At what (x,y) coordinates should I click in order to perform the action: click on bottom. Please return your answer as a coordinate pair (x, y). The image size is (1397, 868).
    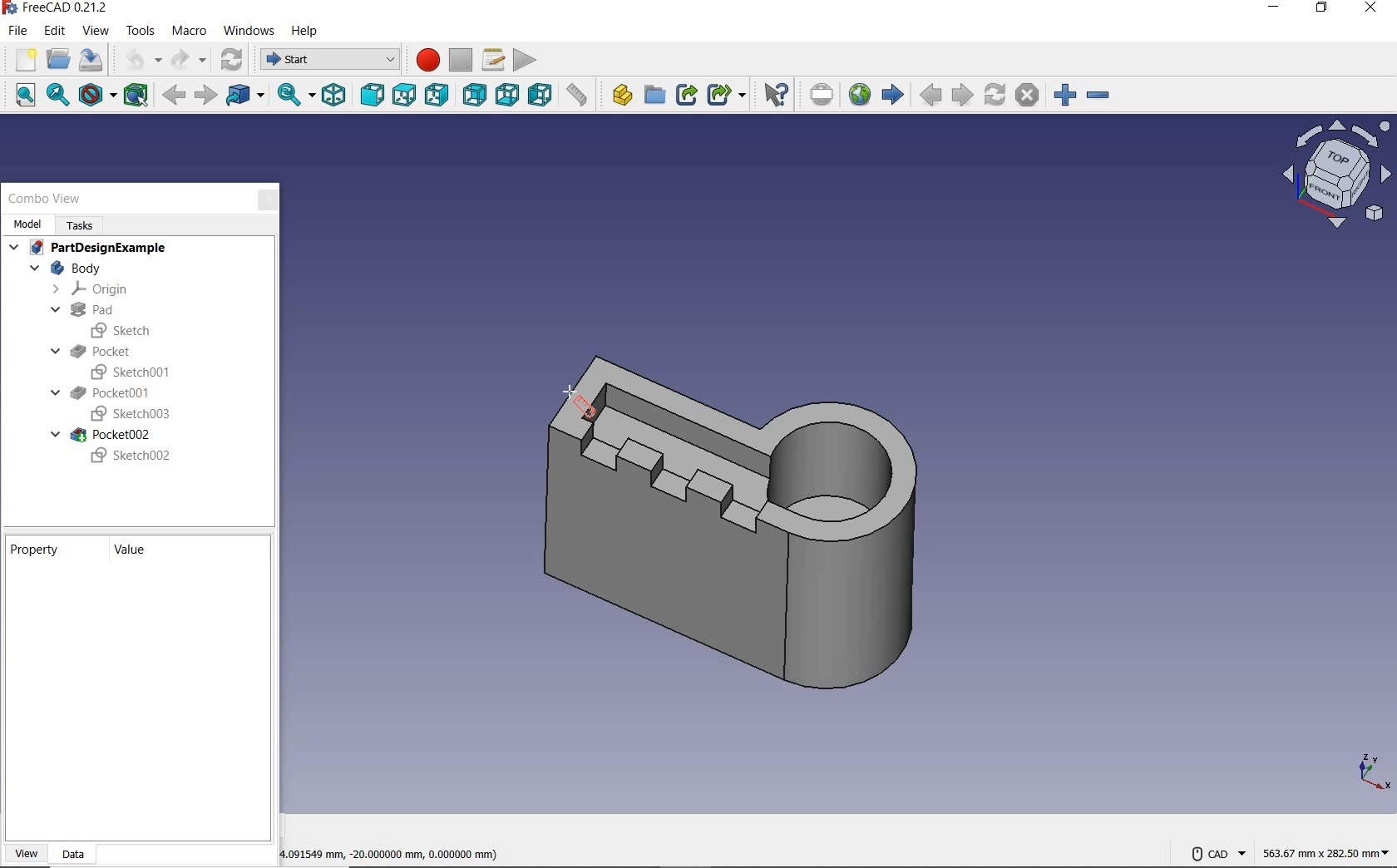
    Looking at the image, I should click on (506, 97).